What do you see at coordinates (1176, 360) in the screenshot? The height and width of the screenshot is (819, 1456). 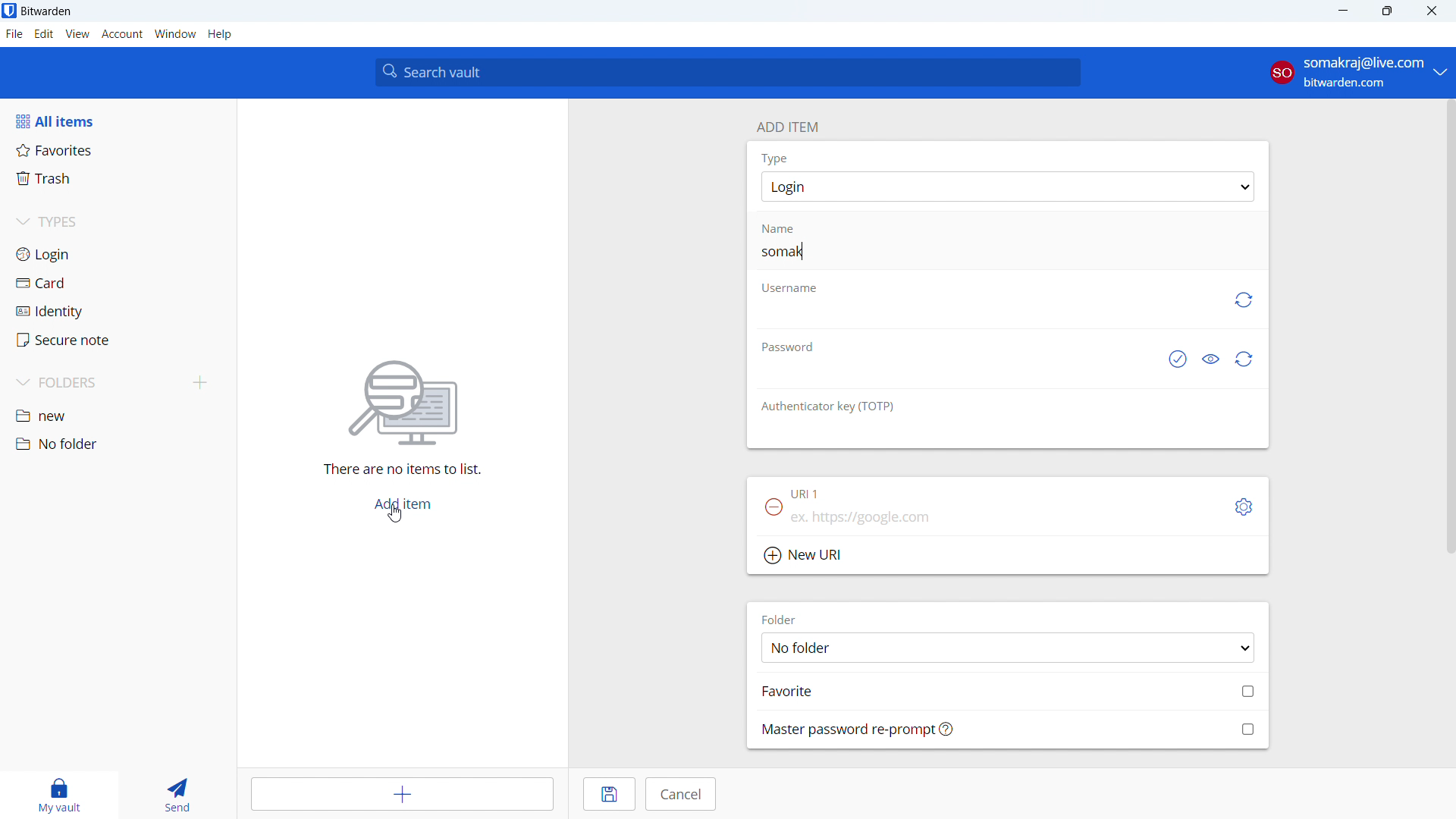 I see `check if password has been exposed` at bounding box center [1176, 360].